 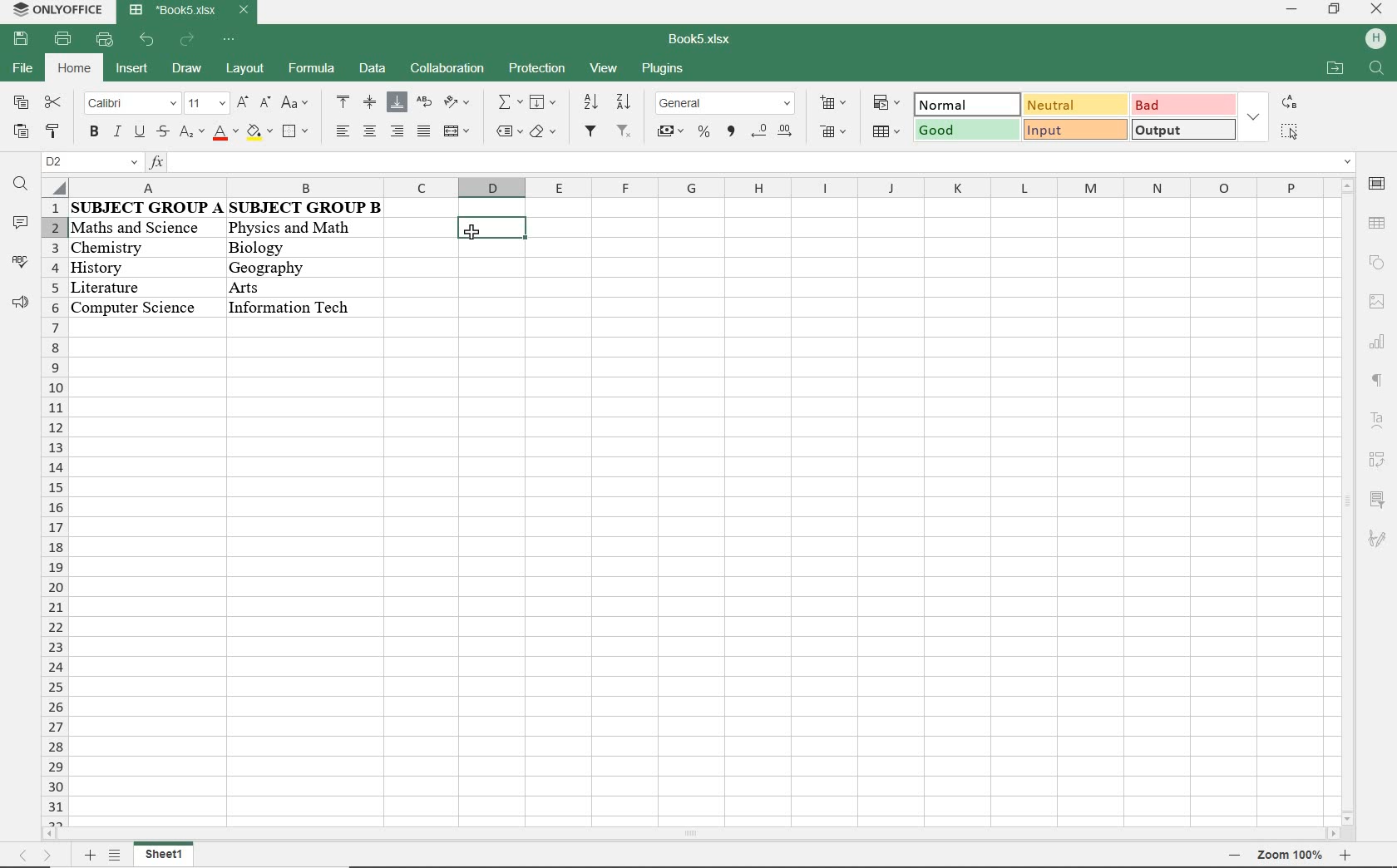 What do you see at coordinates (21, 101) in the screenshot?
I see `copy` at bounding box center [21, 101].